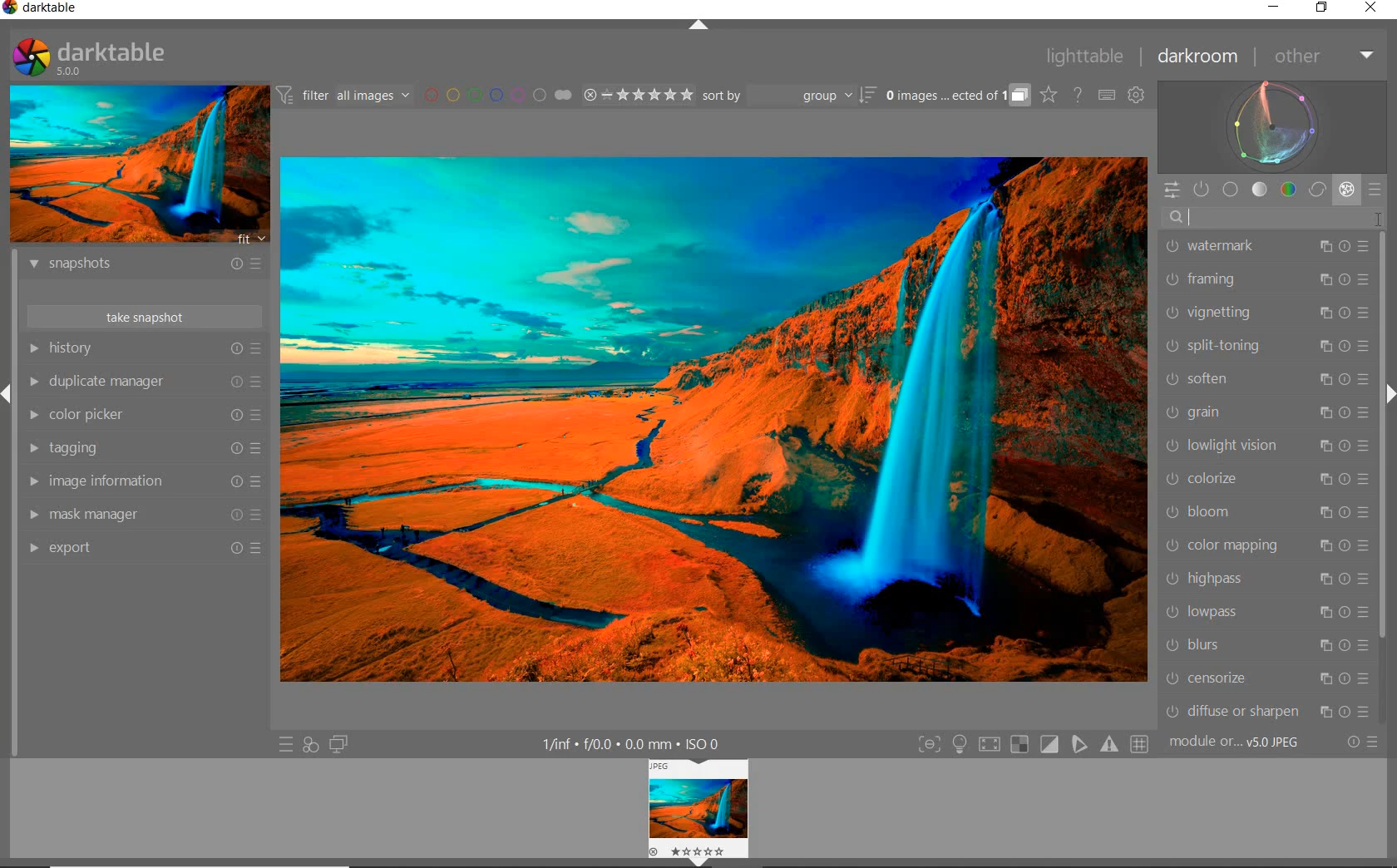  What do you see at coordinates (1239, 743) in the screenshot?
I see `MODULE...v5.0 JPEG` at bounding box center [1239, 743].